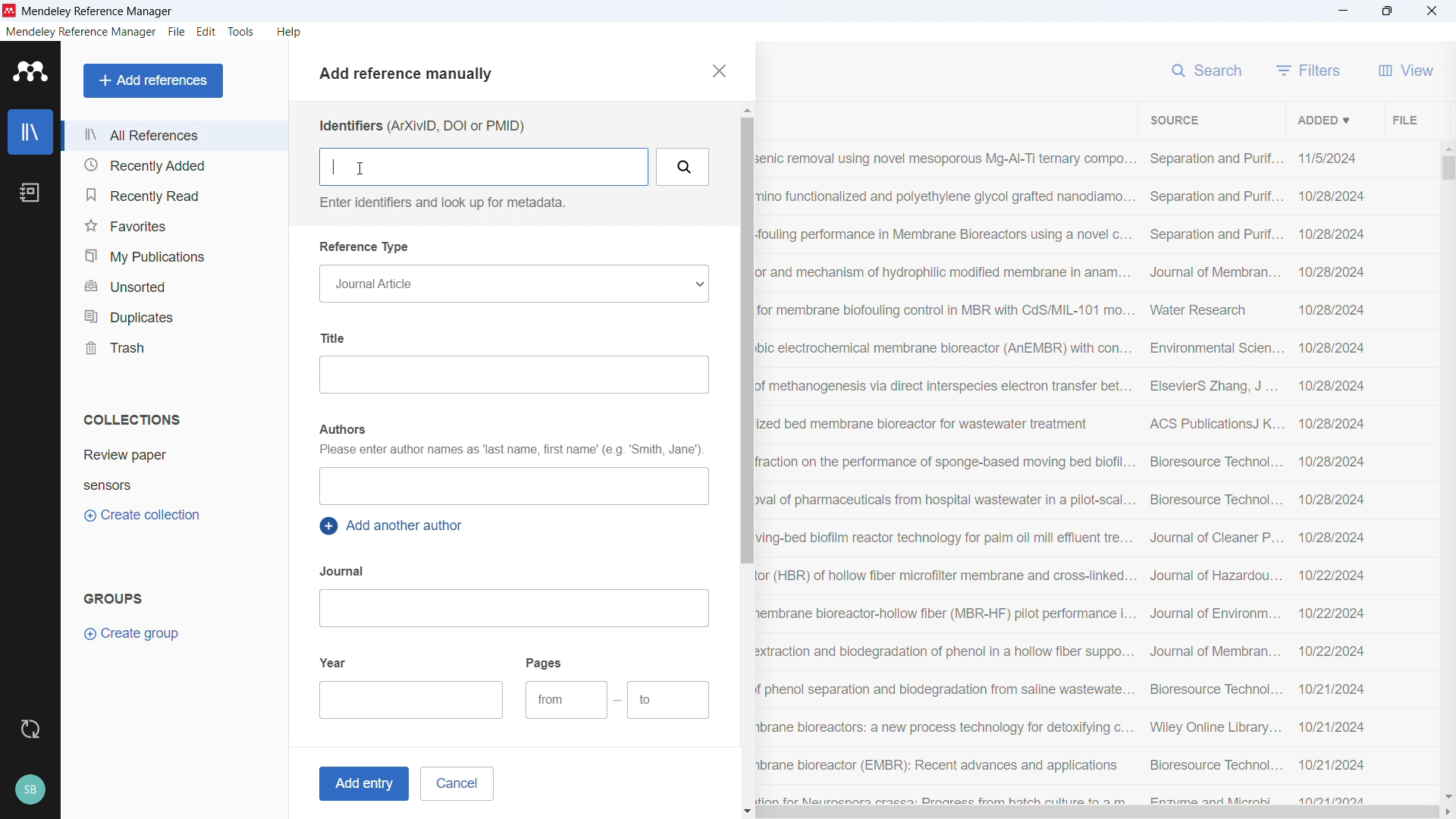  Describe the element at coordinates (457, 783) in the screenshot. I see `cancel ` at that location.